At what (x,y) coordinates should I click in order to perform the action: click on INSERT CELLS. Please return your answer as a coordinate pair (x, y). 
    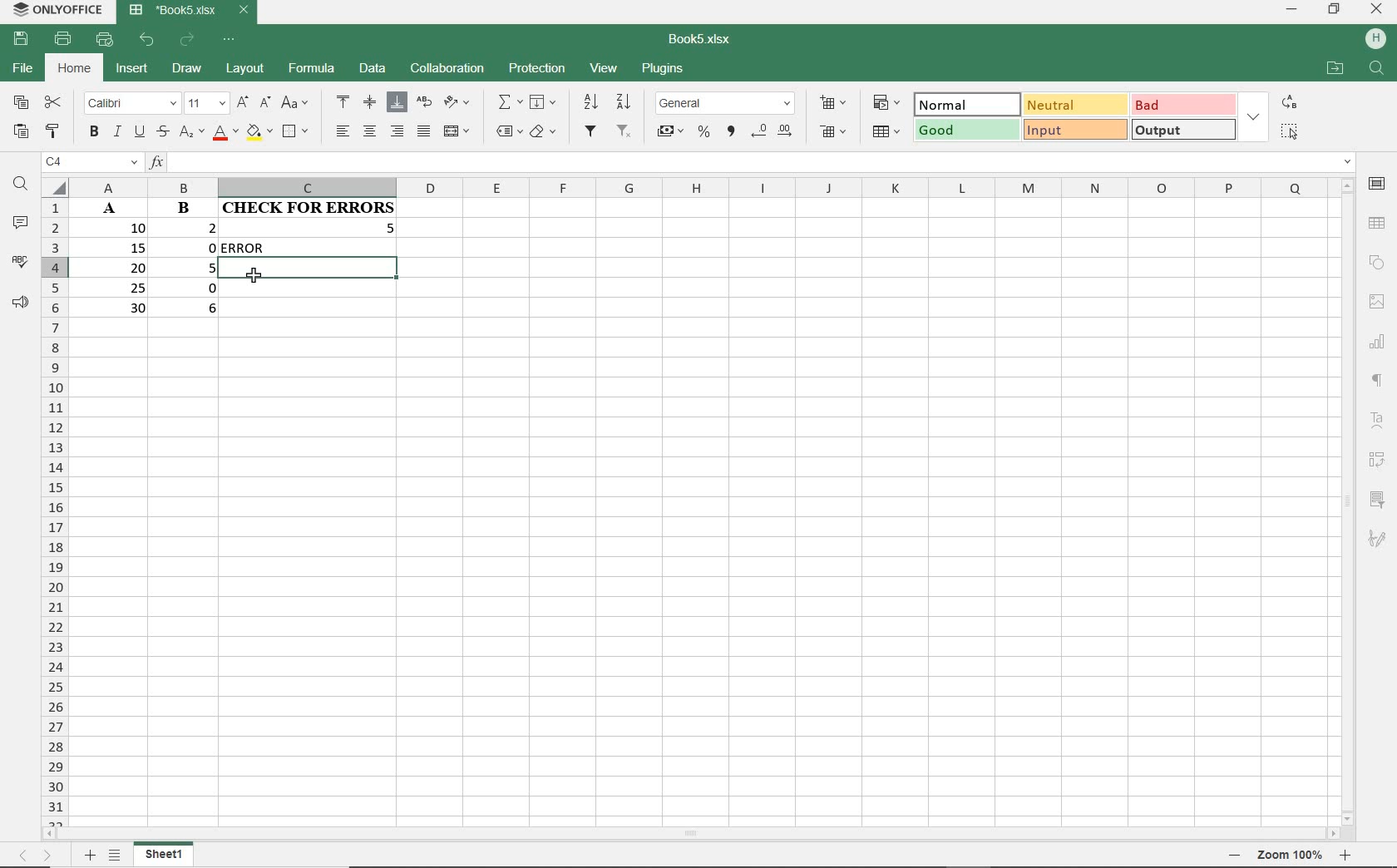
    Looking at the image, I should click on (832, 103).